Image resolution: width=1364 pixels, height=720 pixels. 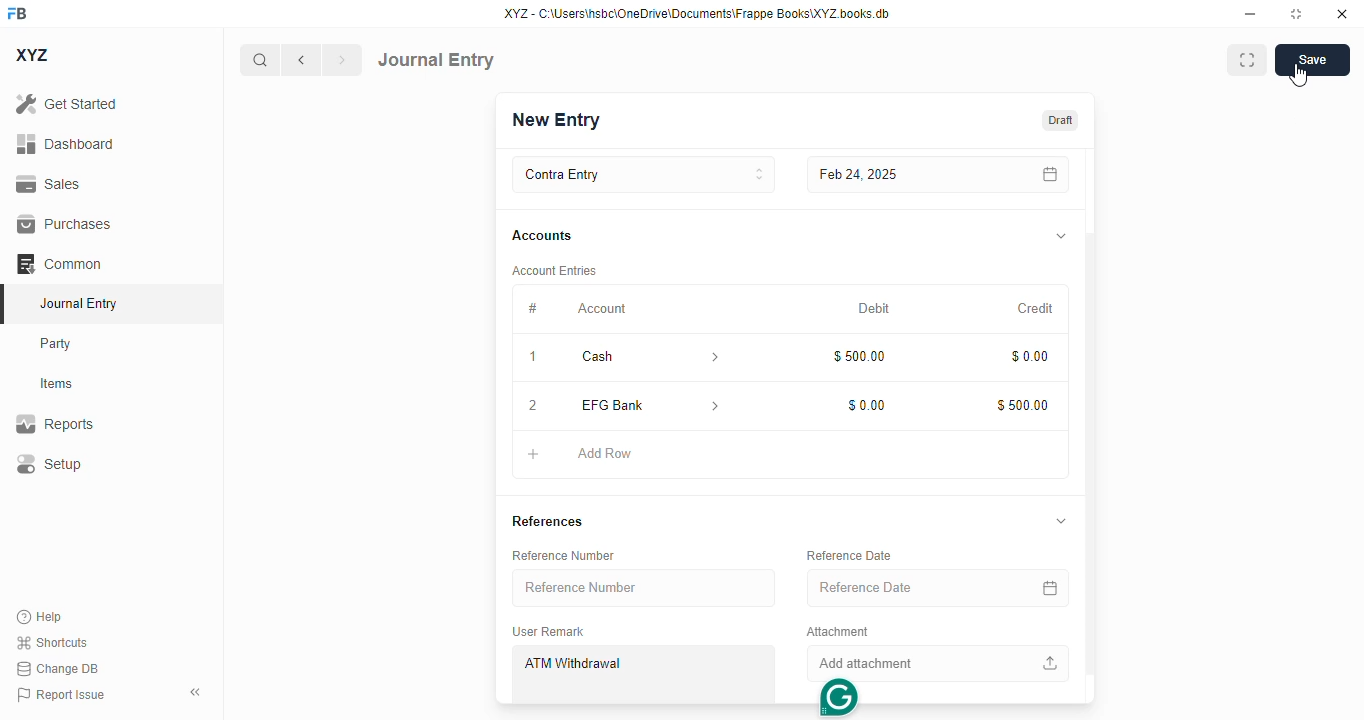 What do you see at coordinates (564, 556) in the screenshot?
I see `reference number` at bounding box center [564, 556].